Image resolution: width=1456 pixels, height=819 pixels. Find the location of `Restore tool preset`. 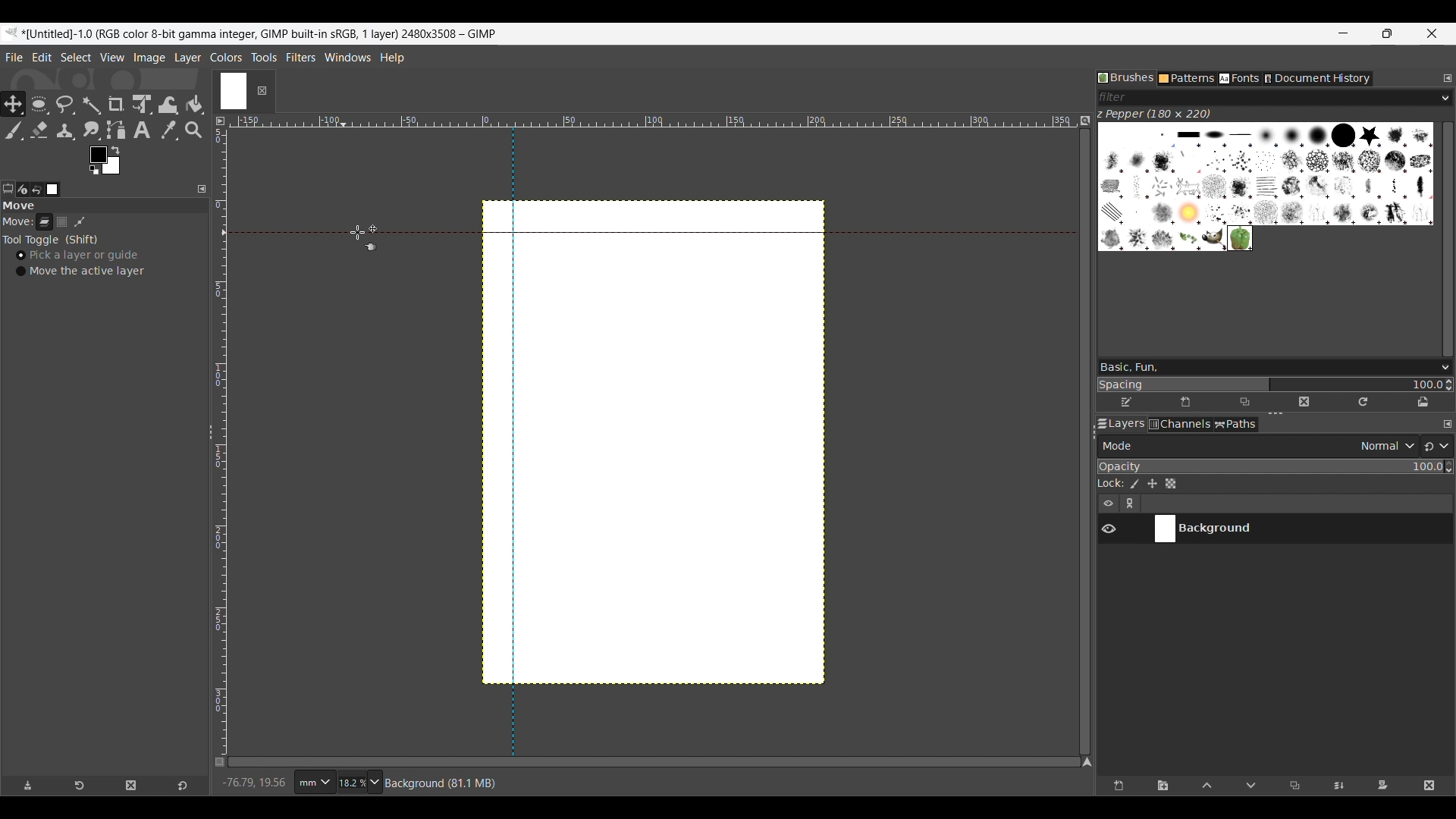

Restore tool preset is located at coordinates (80, 786).